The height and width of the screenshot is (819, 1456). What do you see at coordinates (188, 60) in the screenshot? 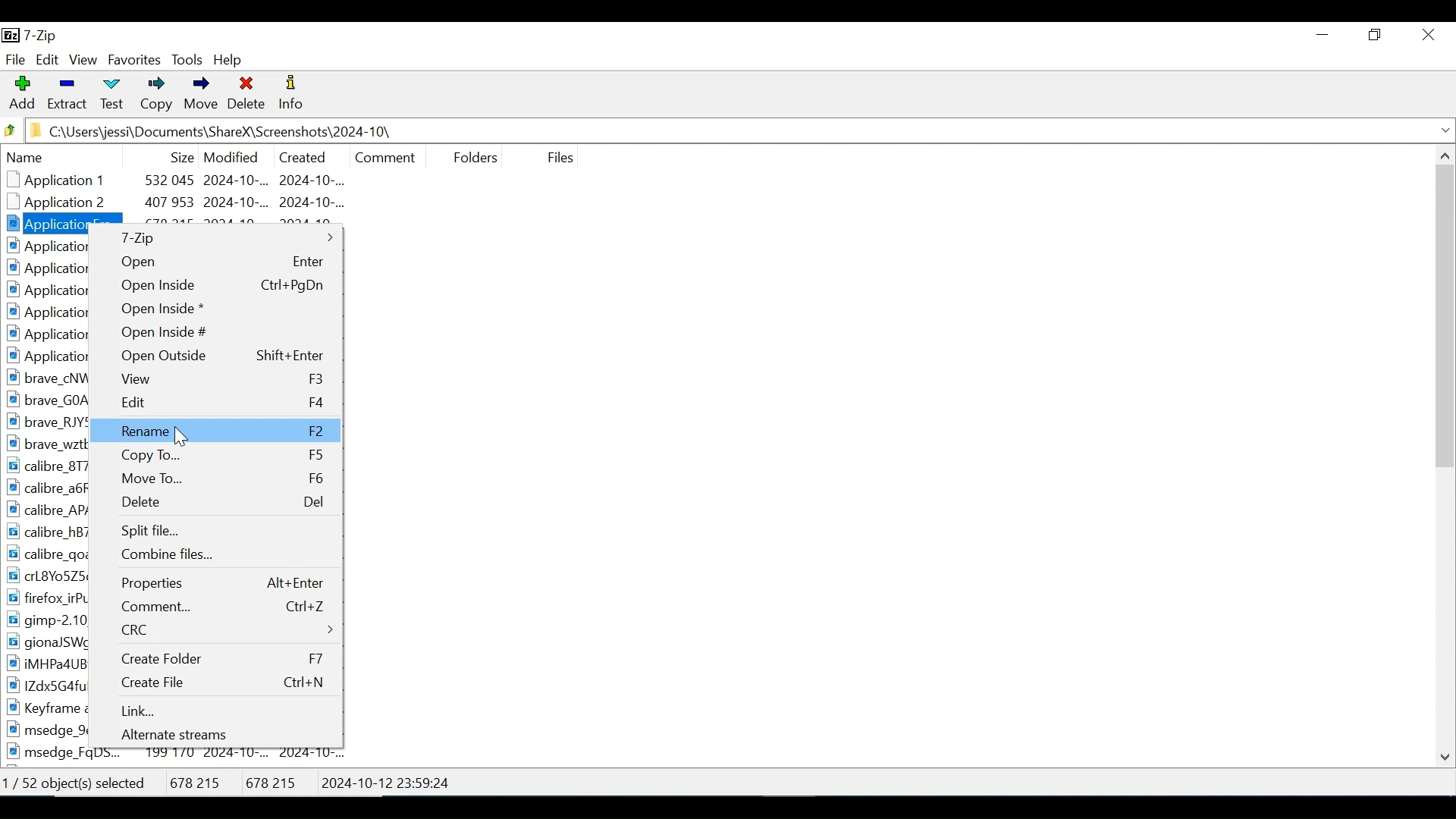
I see `Tools` at bounding box center [188, 60].